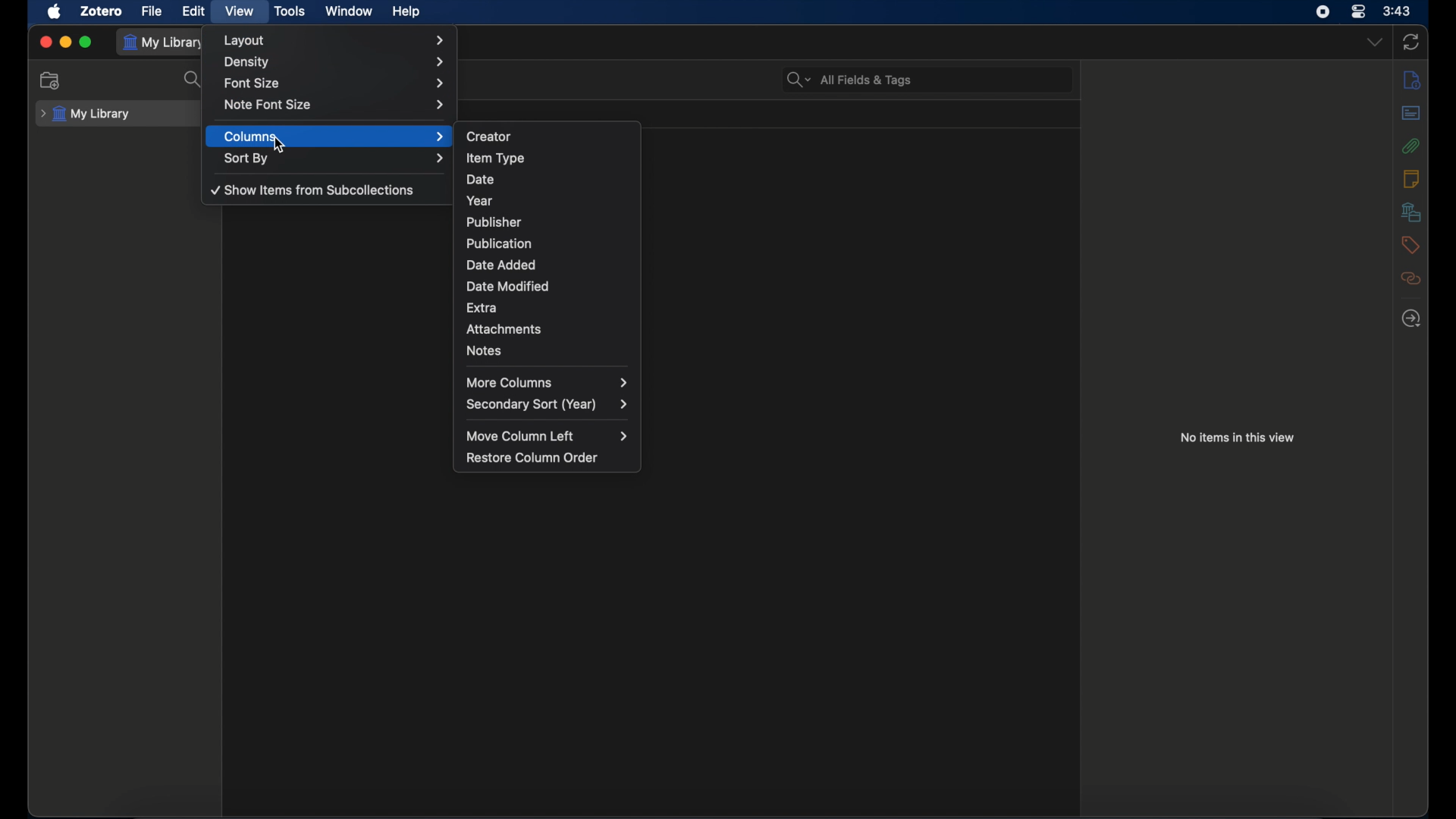  What do you see at coordinates (86, 42) in the screenshot?
I see `maximize` at bounding box center [86, 42].